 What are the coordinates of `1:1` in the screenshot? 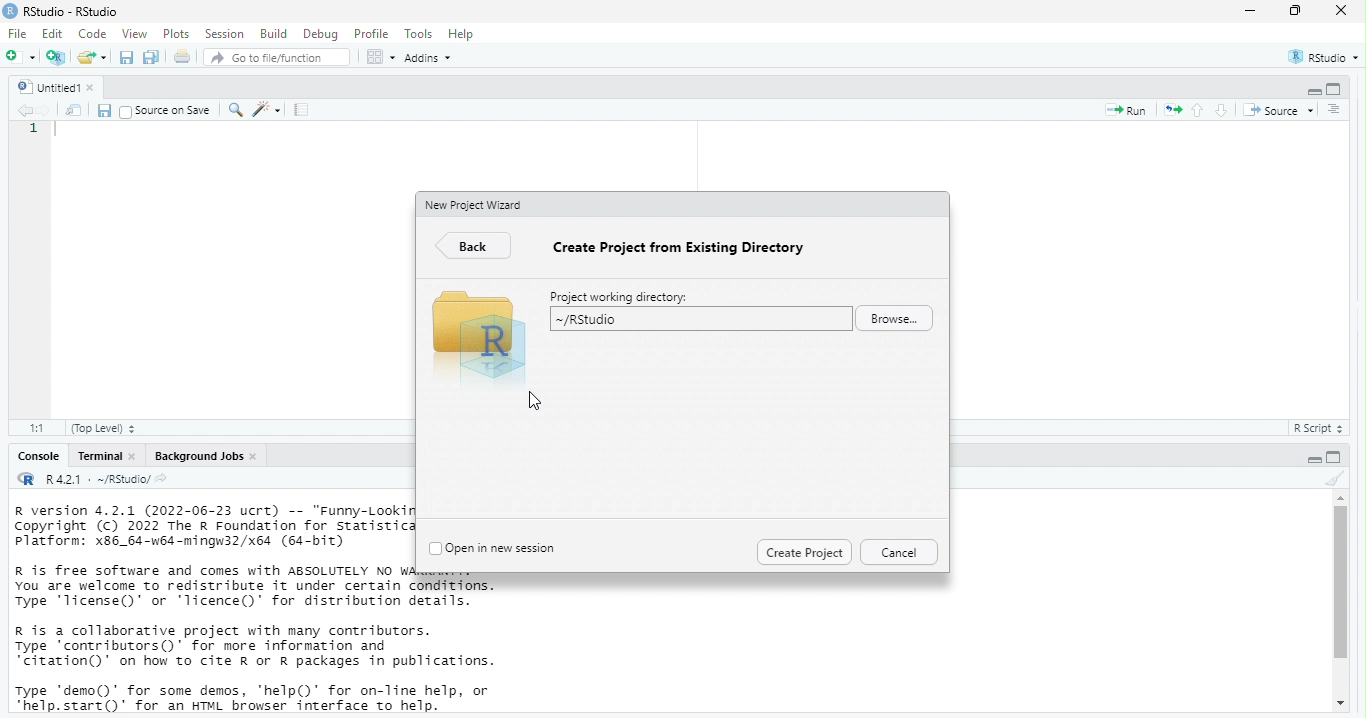 It's located at (30, 426).